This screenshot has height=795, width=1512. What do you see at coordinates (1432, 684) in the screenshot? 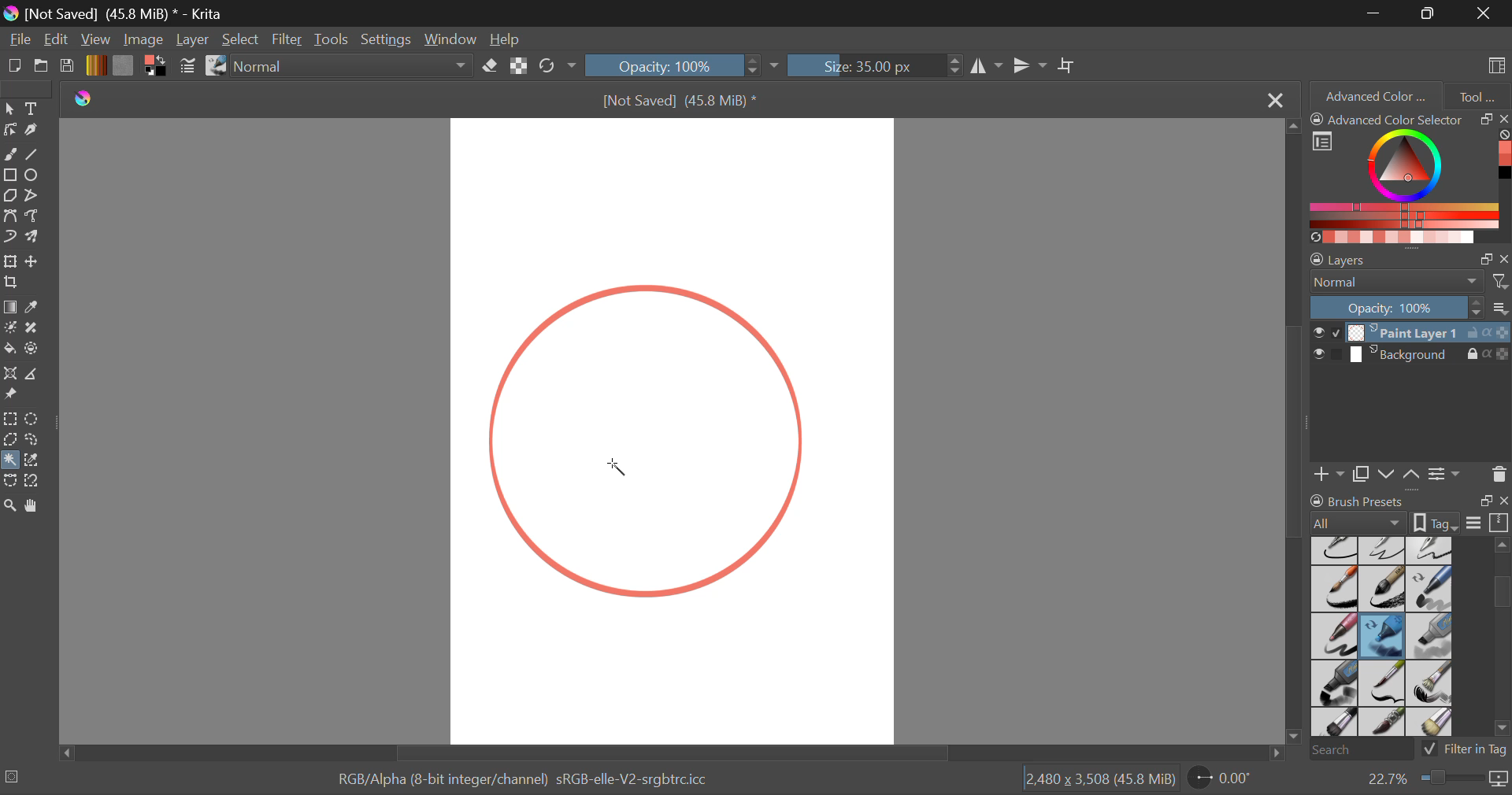
I see `Bristles-2 Flat Rough` at bounding box center [1432, 684].